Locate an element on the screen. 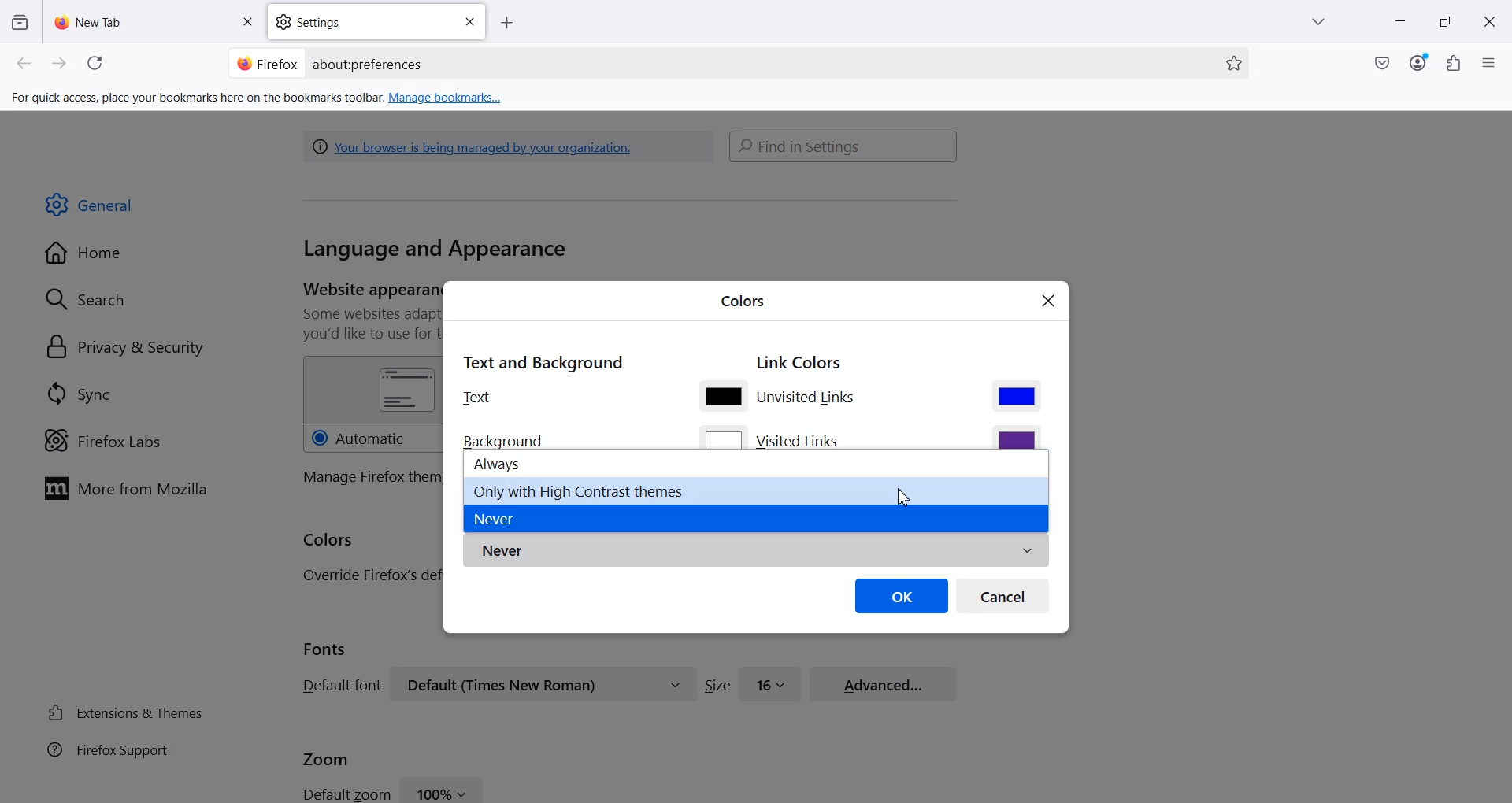  Search Bar is located at coordinates (844, 146).